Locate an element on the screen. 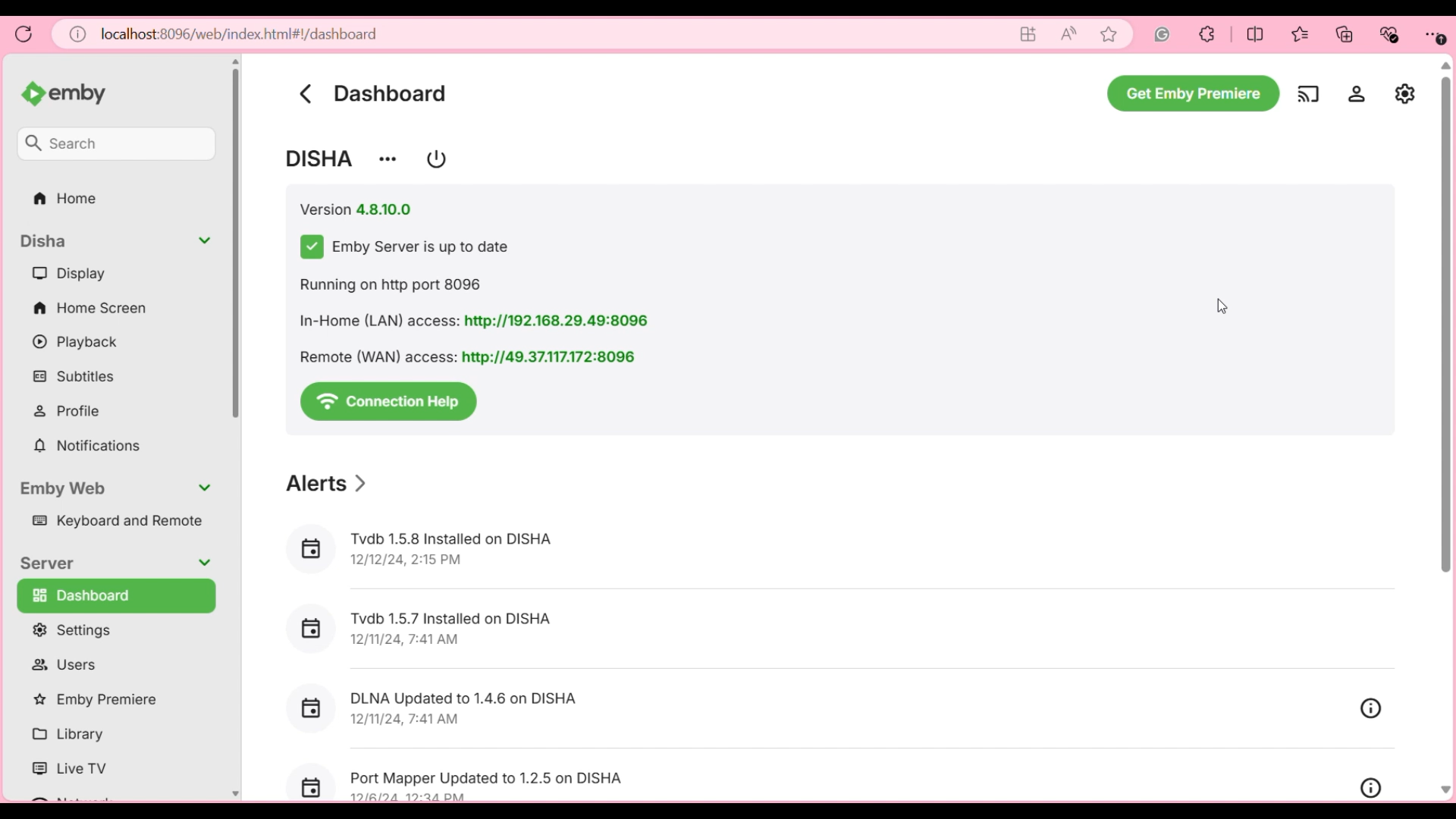  Section title is located at coordinates (45, 241).